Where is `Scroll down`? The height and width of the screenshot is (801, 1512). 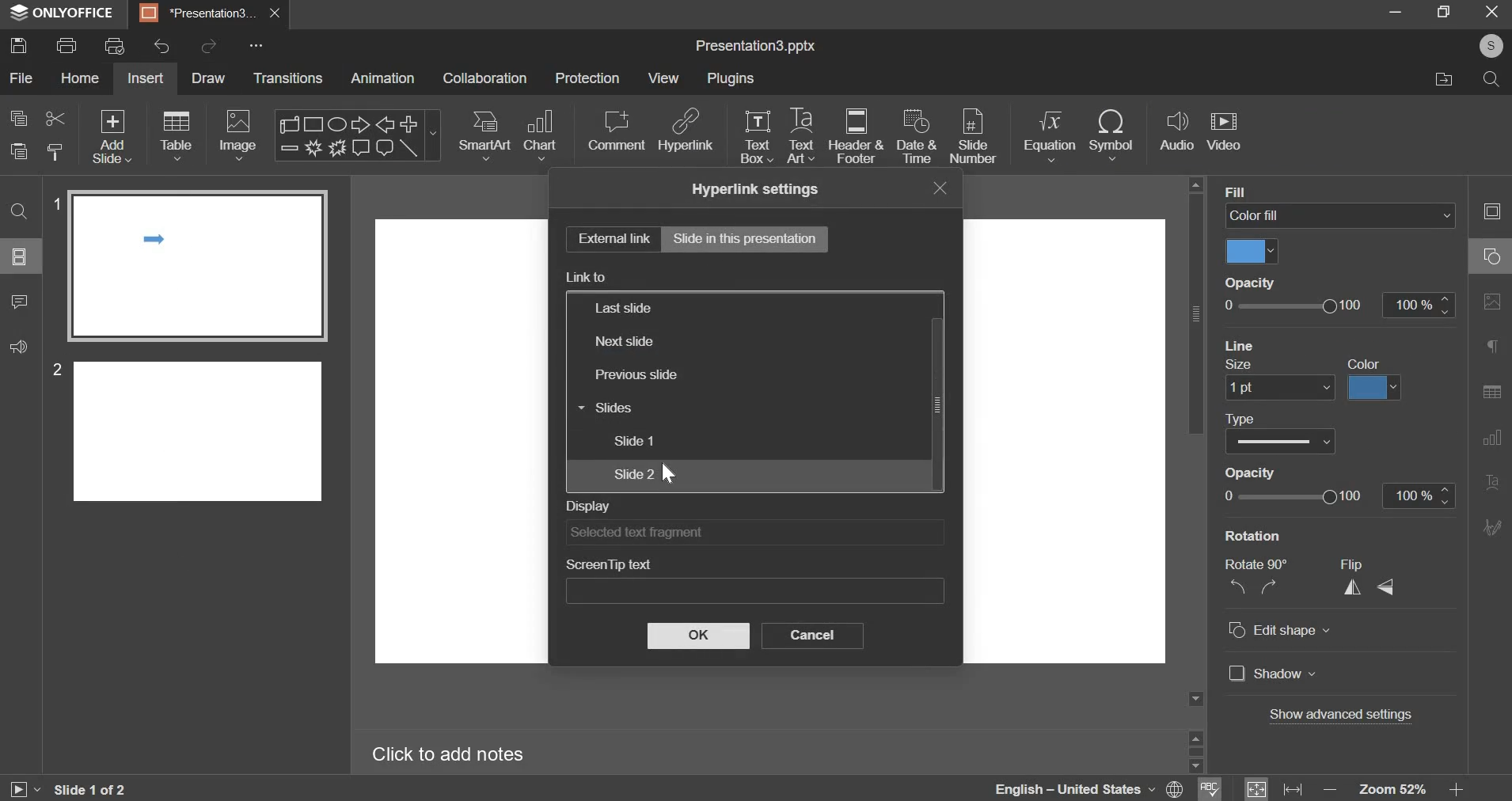 Scroll down is located at coordinates (1195, 699).